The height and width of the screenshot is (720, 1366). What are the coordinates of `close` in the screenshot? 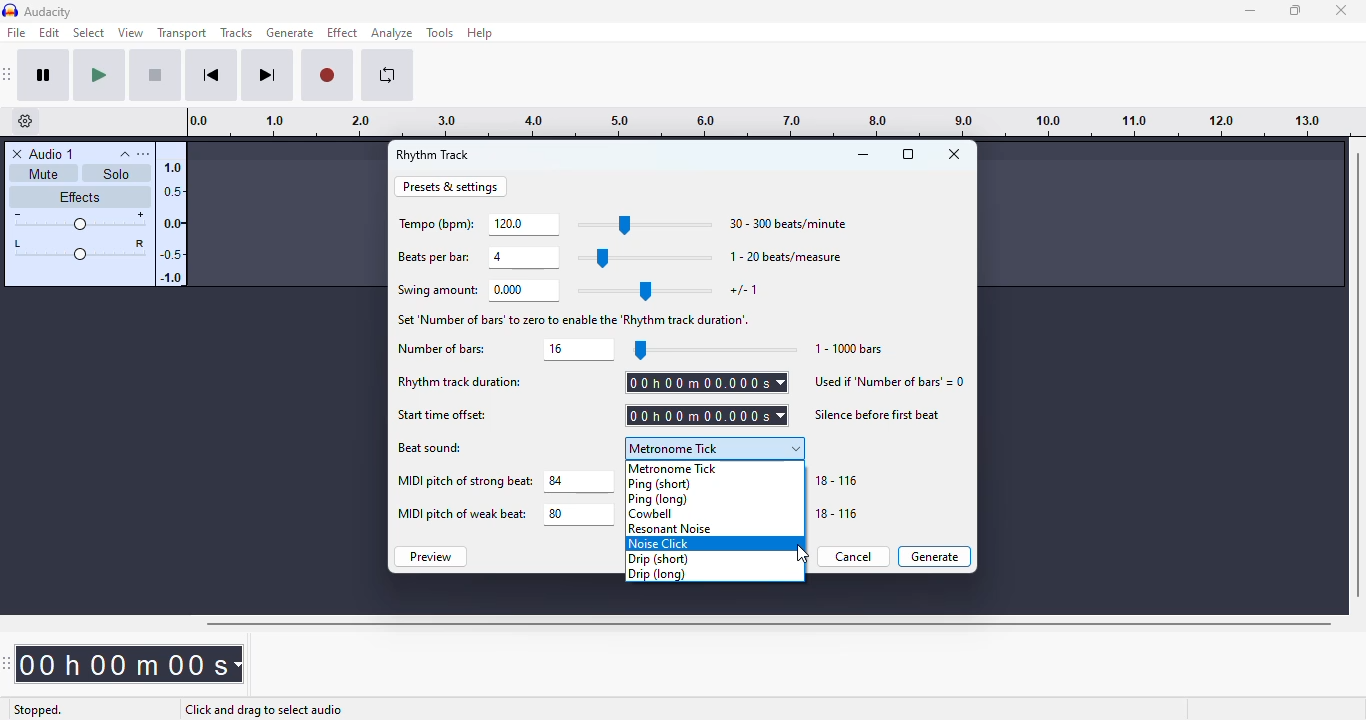 It's located at (954, 153).